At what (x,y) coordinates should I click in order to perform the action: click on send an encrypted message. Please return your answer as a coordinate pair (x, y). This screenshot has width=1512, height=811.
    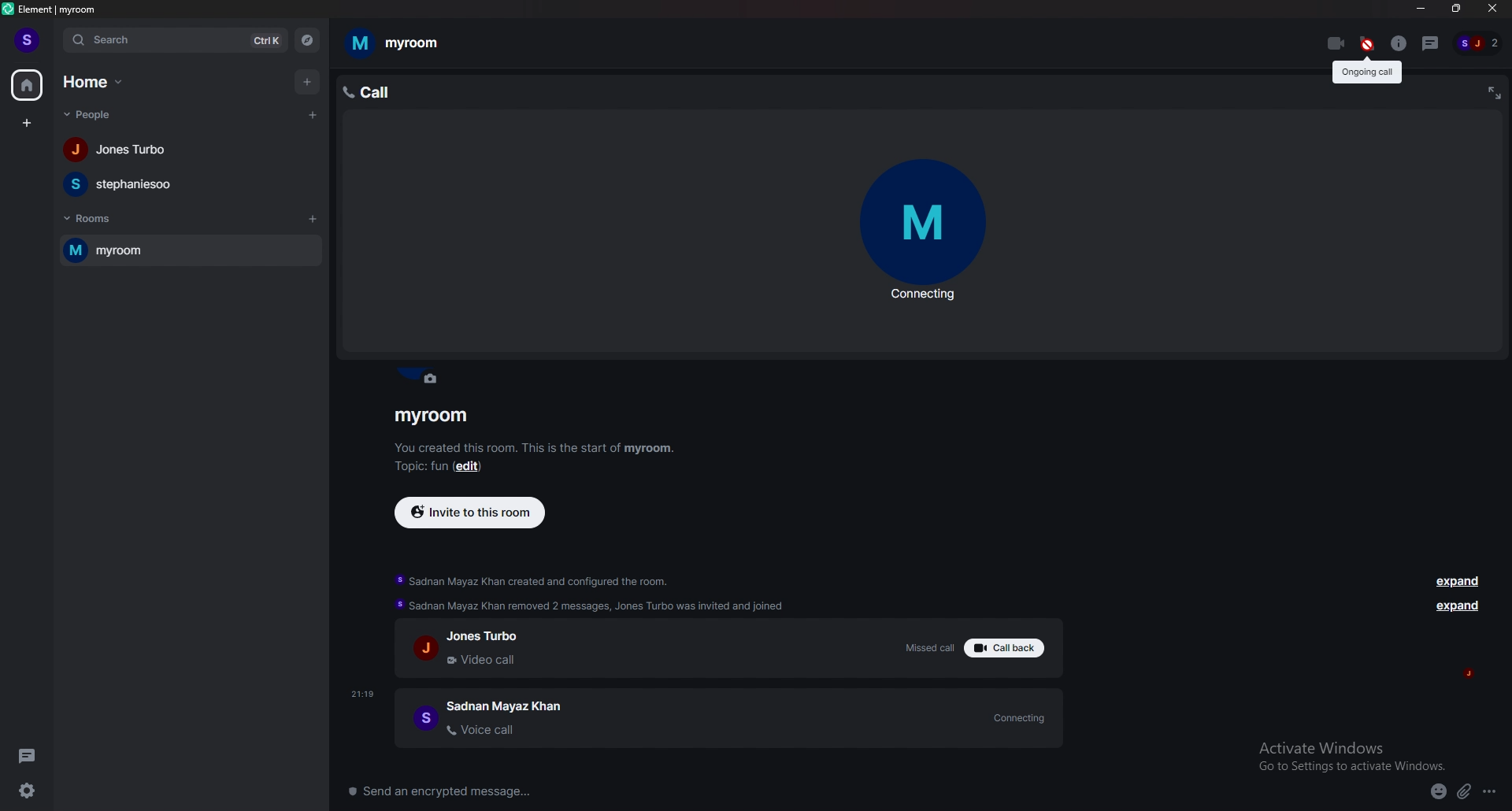
    Looking at the image, I should click on (453, 793).